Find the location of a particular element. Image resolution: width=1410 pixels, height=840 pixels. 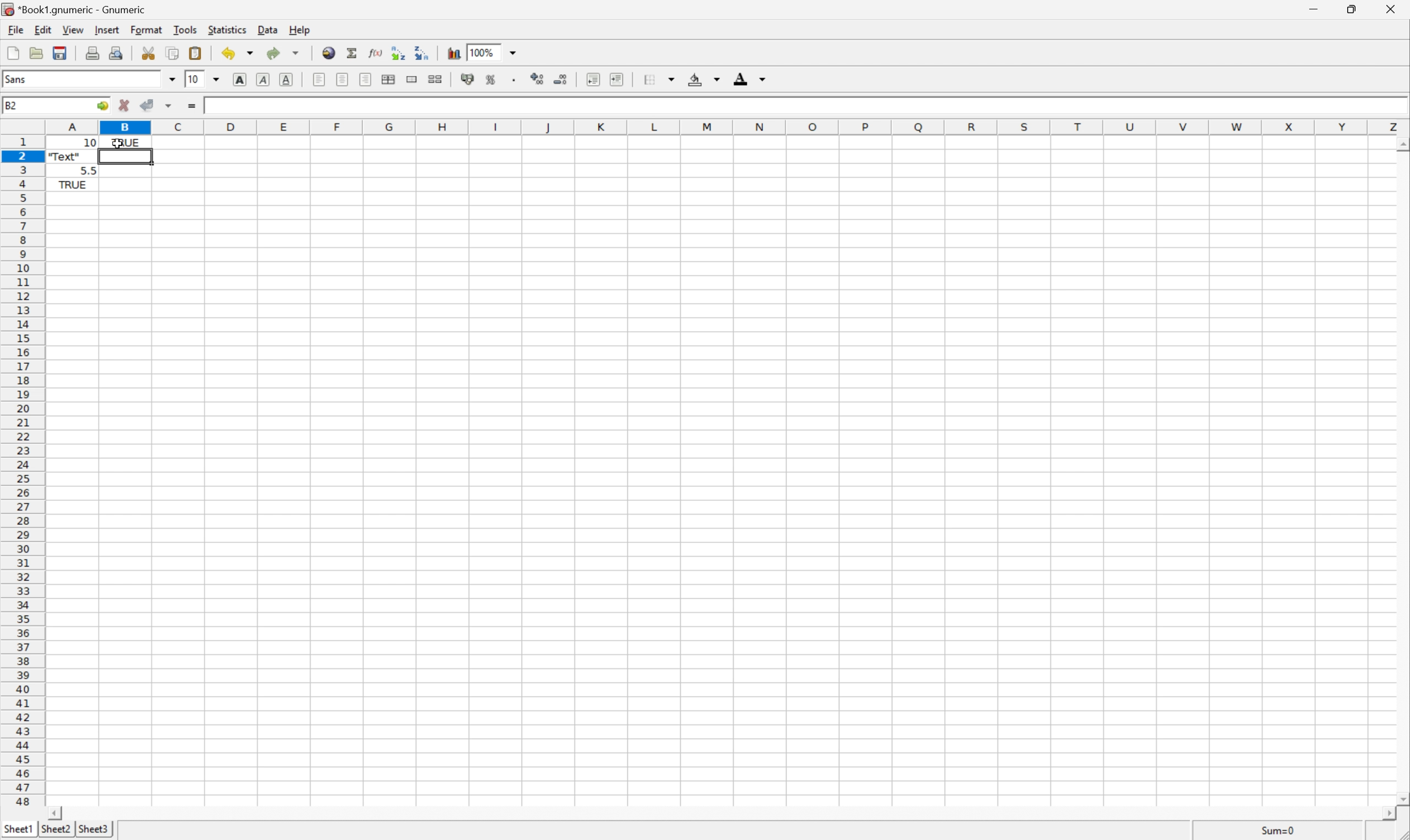

TRUE is located at coordinates (125, 142).